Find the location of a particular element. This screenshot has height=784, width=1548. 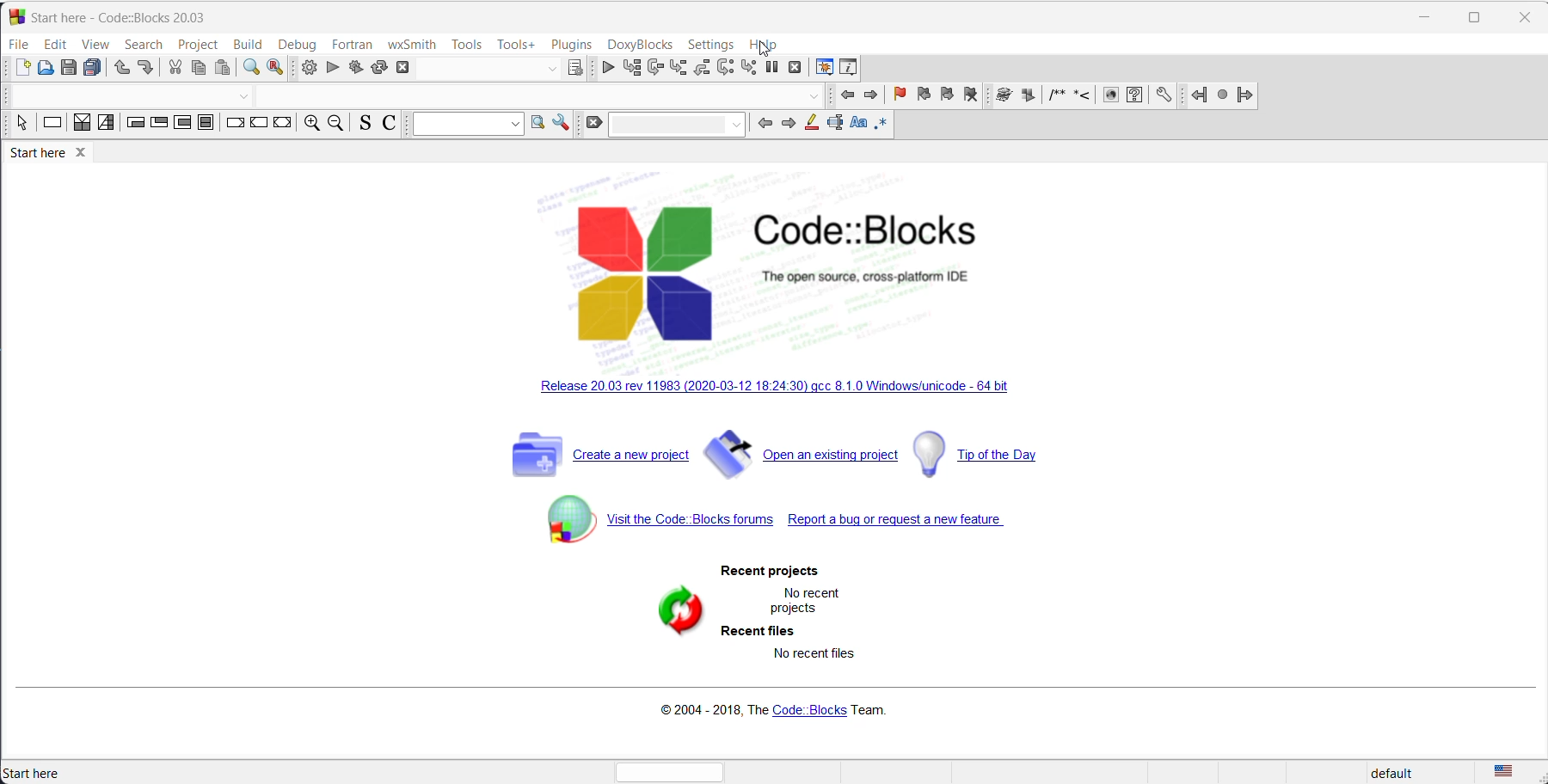

recent files is located at coordinates (758, 631).